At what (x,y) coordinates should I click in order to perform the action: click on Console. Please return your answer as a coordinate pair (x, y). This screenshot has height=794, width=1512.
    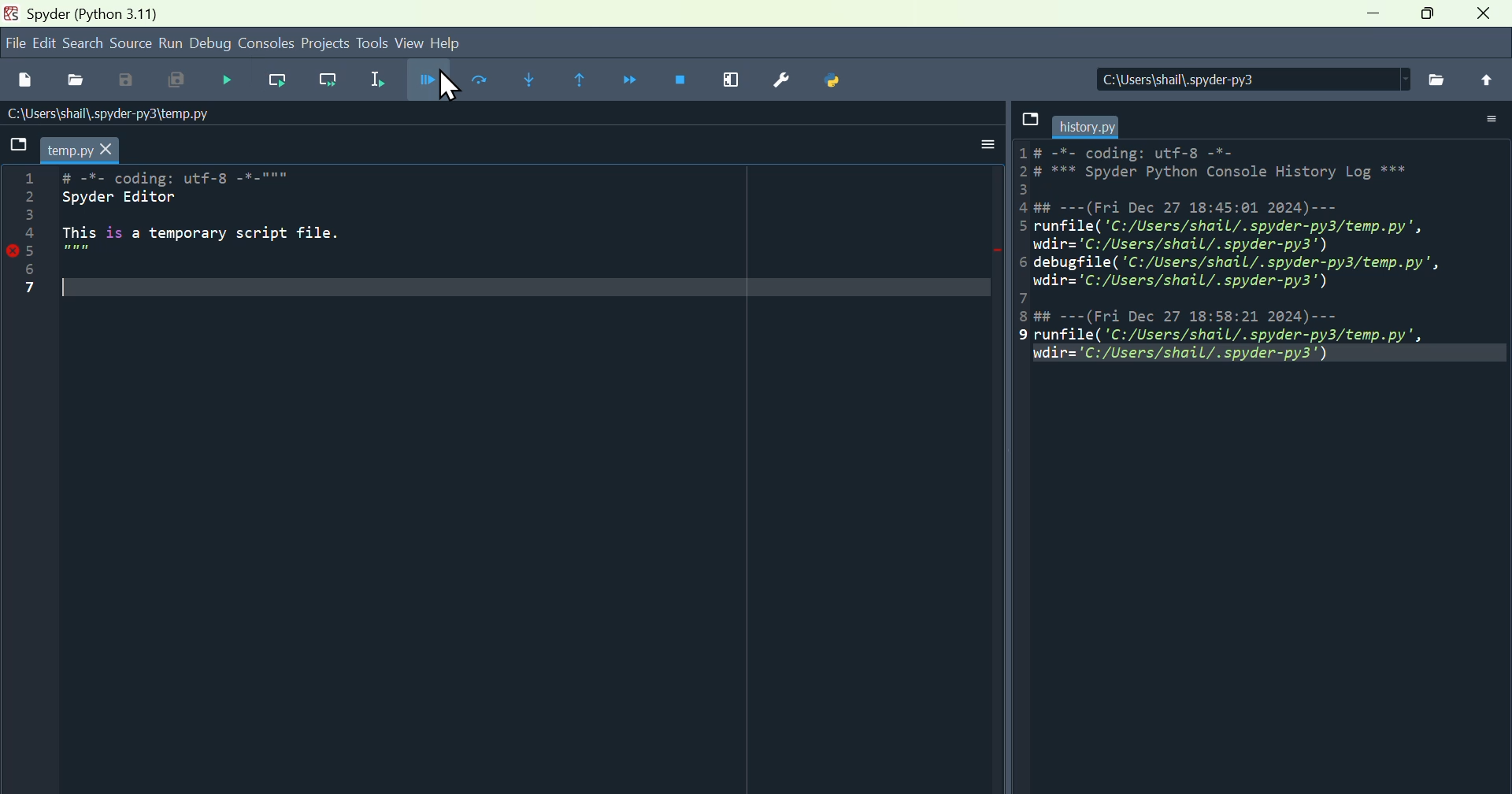
    Looking at the image, I should click on (263, 43).